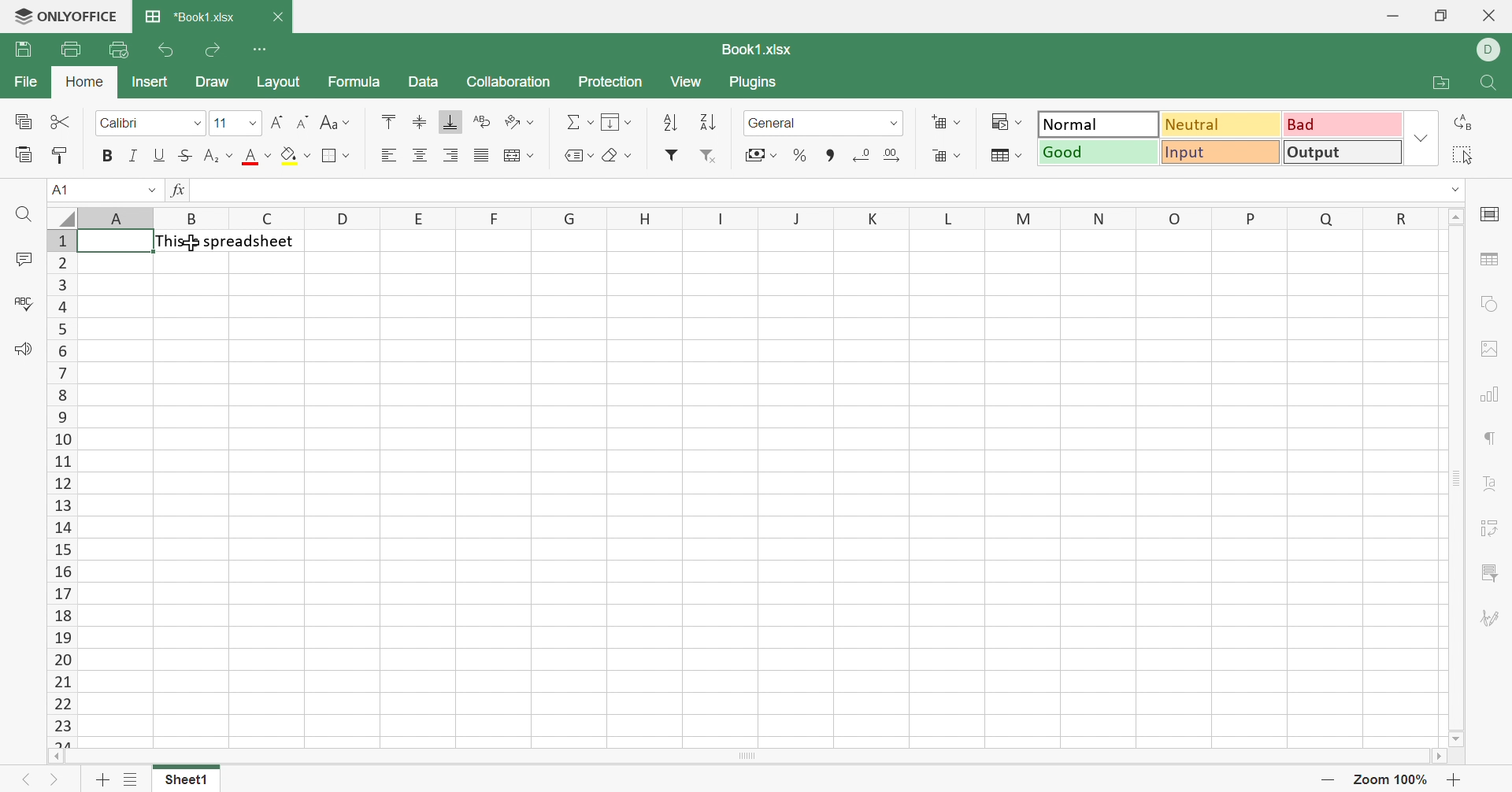 The height and width of the screenshot is (792, 1512). What do you see at coordinates (483, 154) in the screenshot?
I see `Justified` at bounding box center [483, 154].